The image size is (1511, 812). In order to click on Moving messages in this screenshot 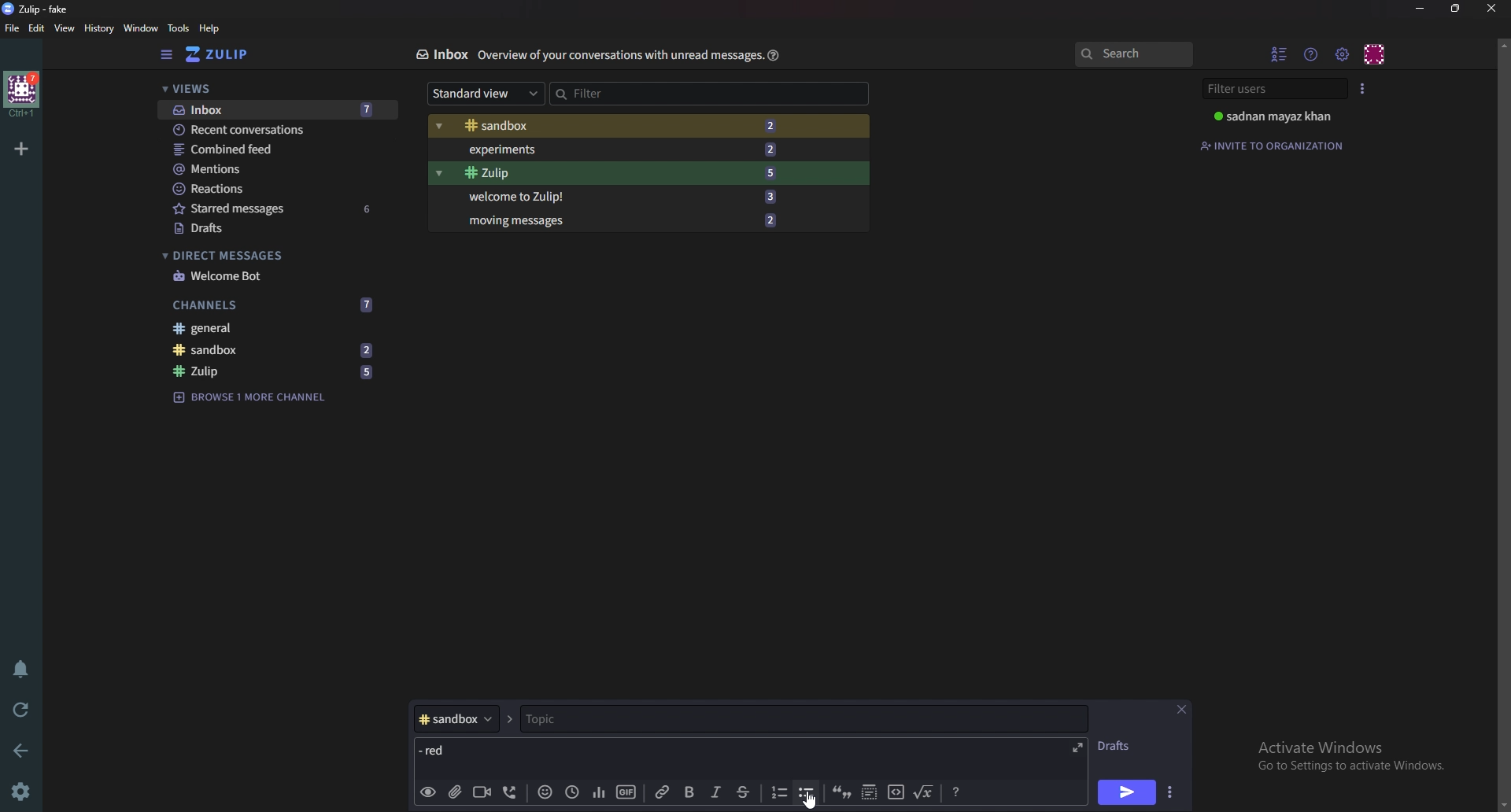, I will do `click(621, 219)`.